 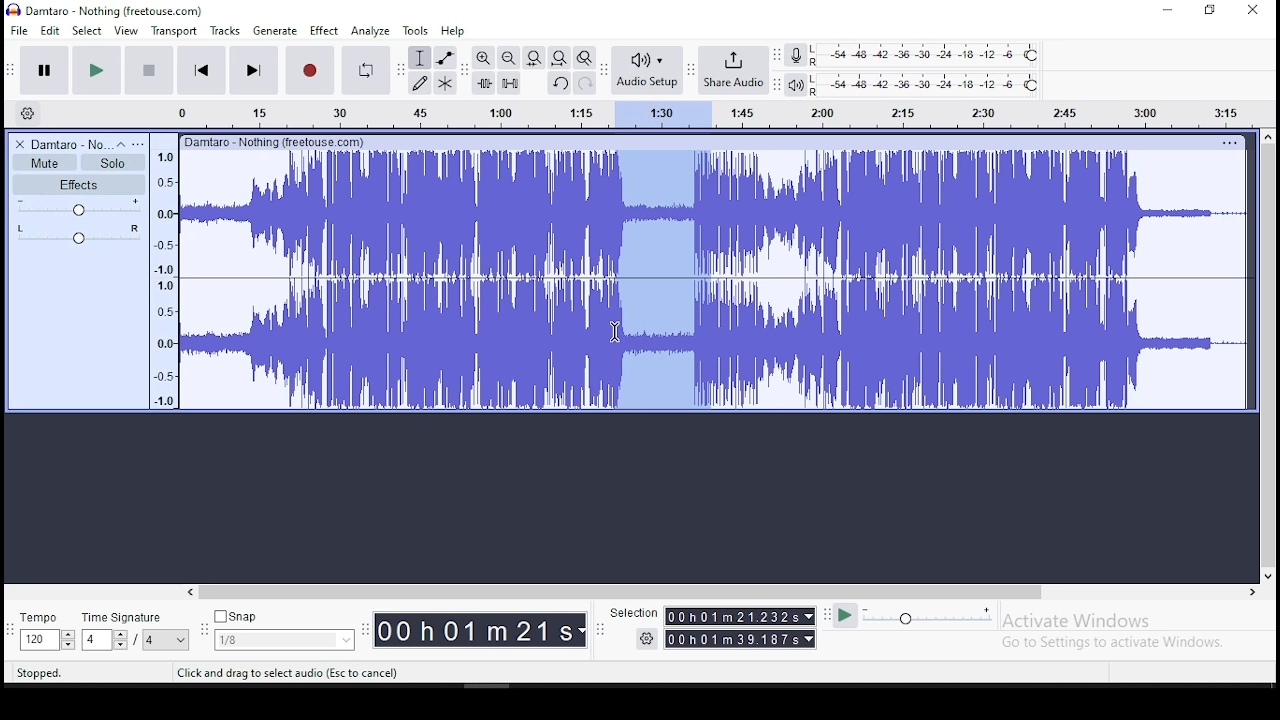 I want to click on , so click(x=11, y=68).